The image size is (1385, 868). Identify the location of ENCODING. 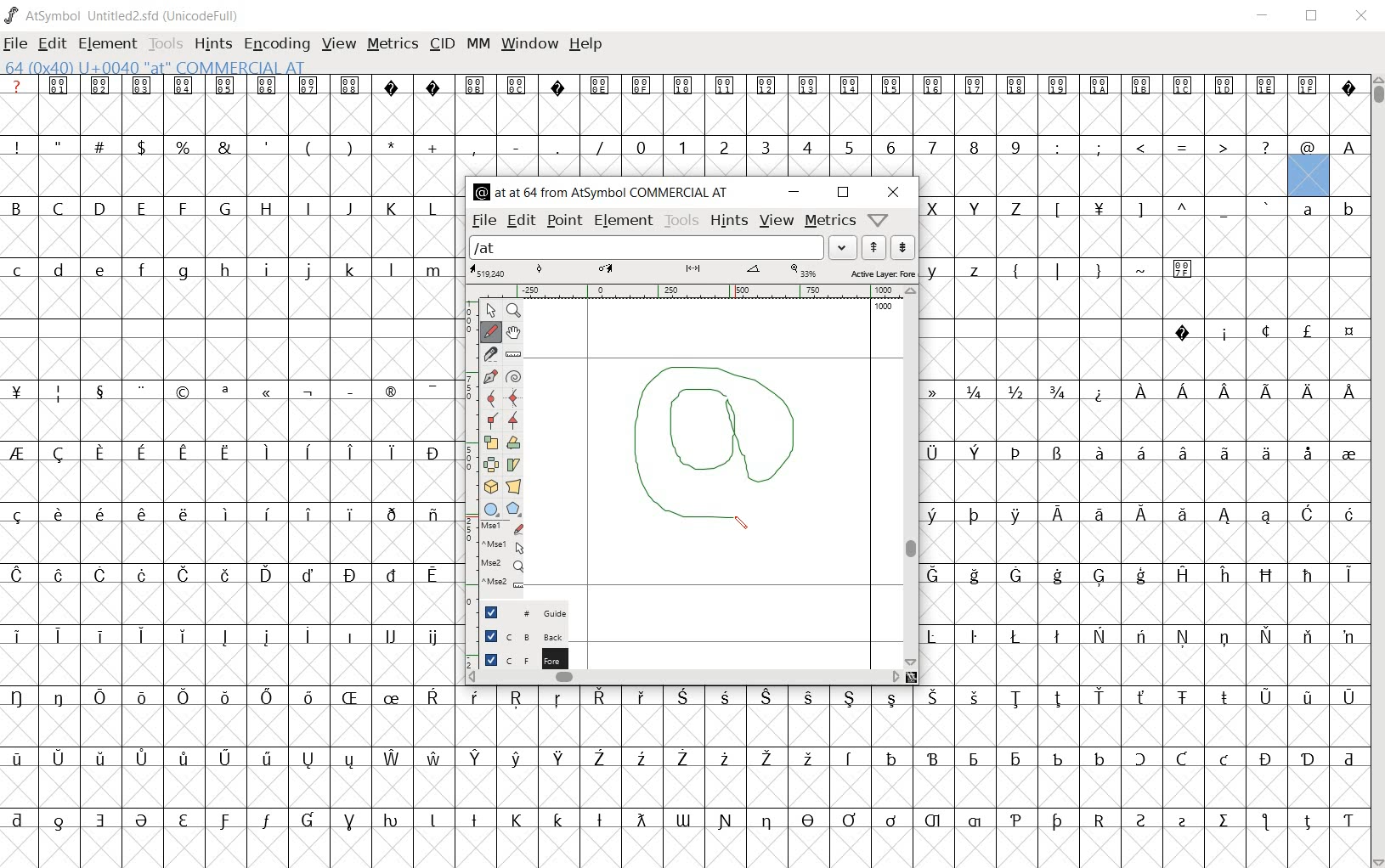
(280, 46).